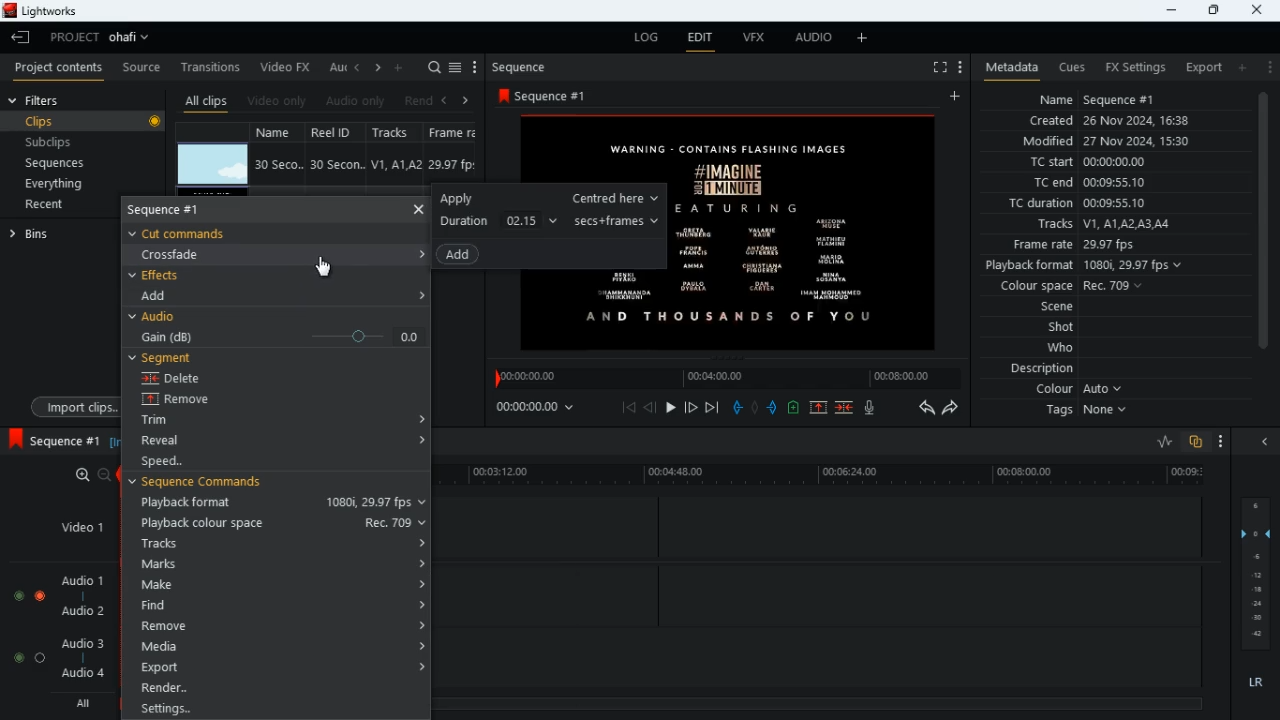 This screenshot has width=1280, height=720. Describe the element at coordinates (78, 613) in the screenshot. I see `audio 2` at that location.